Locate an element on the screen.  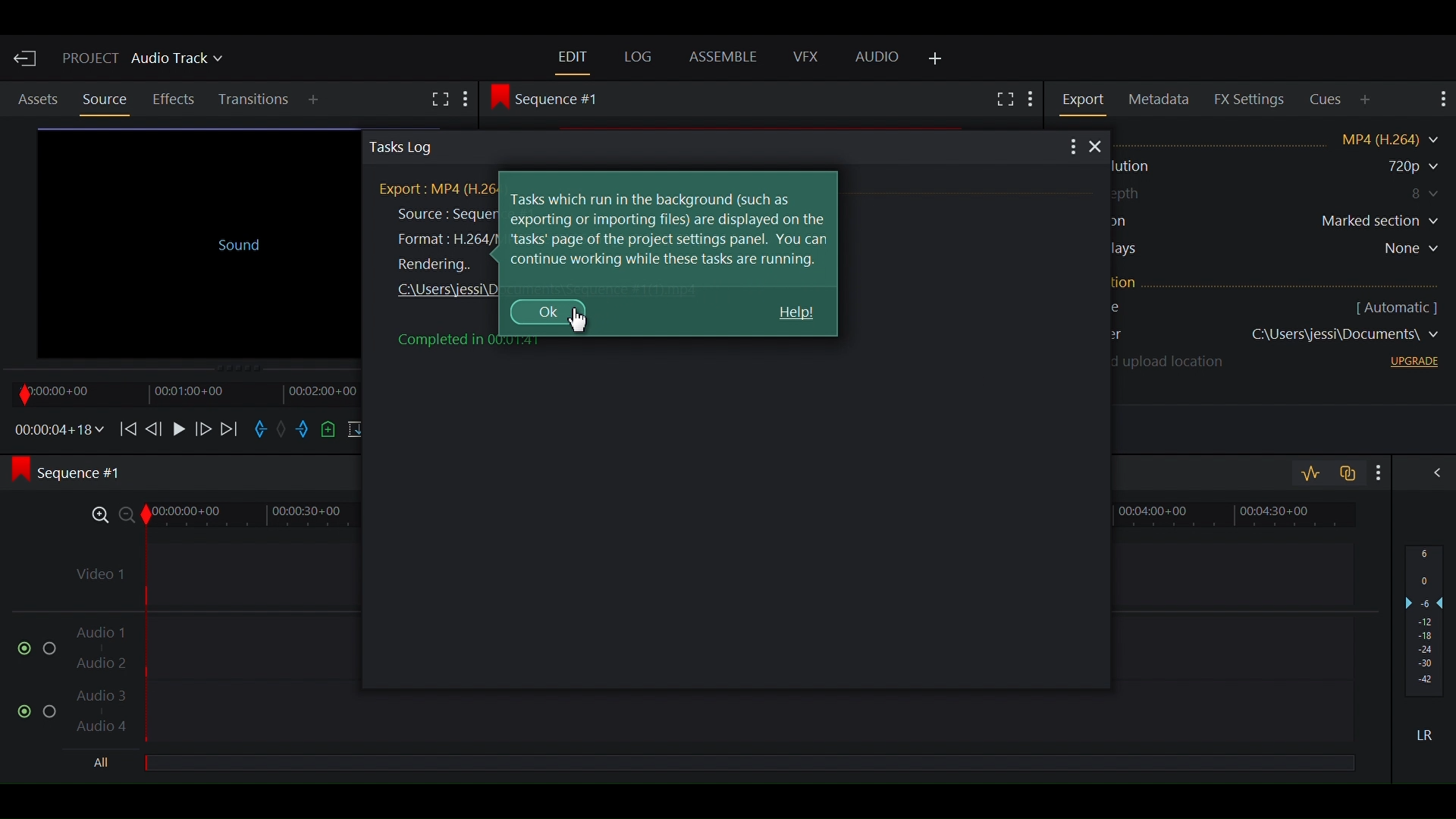
Toggle audio track sync is located at coordinates (1345, 472).